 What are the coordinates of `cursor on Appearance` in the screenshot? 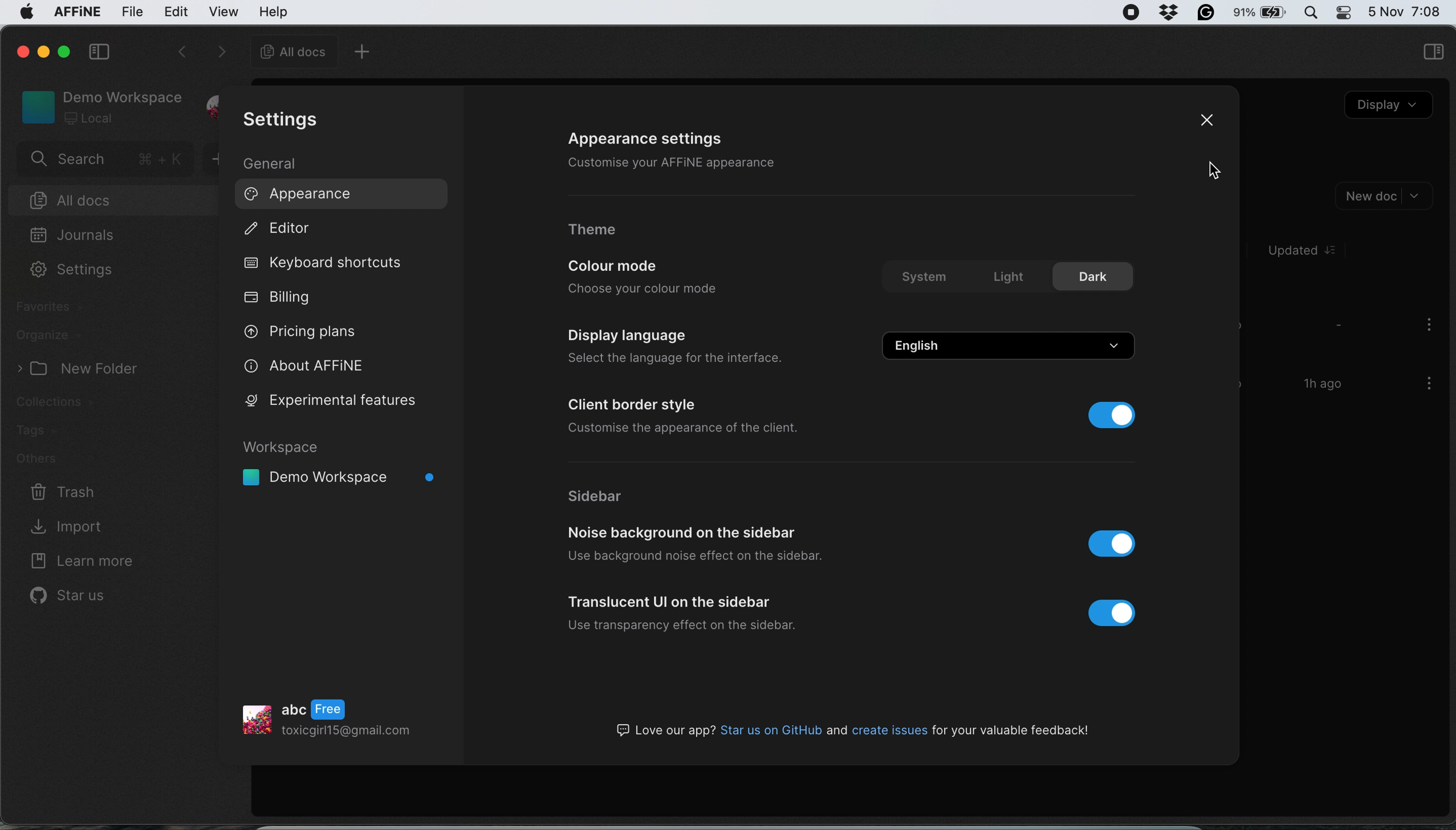 It's located at (413, 204).